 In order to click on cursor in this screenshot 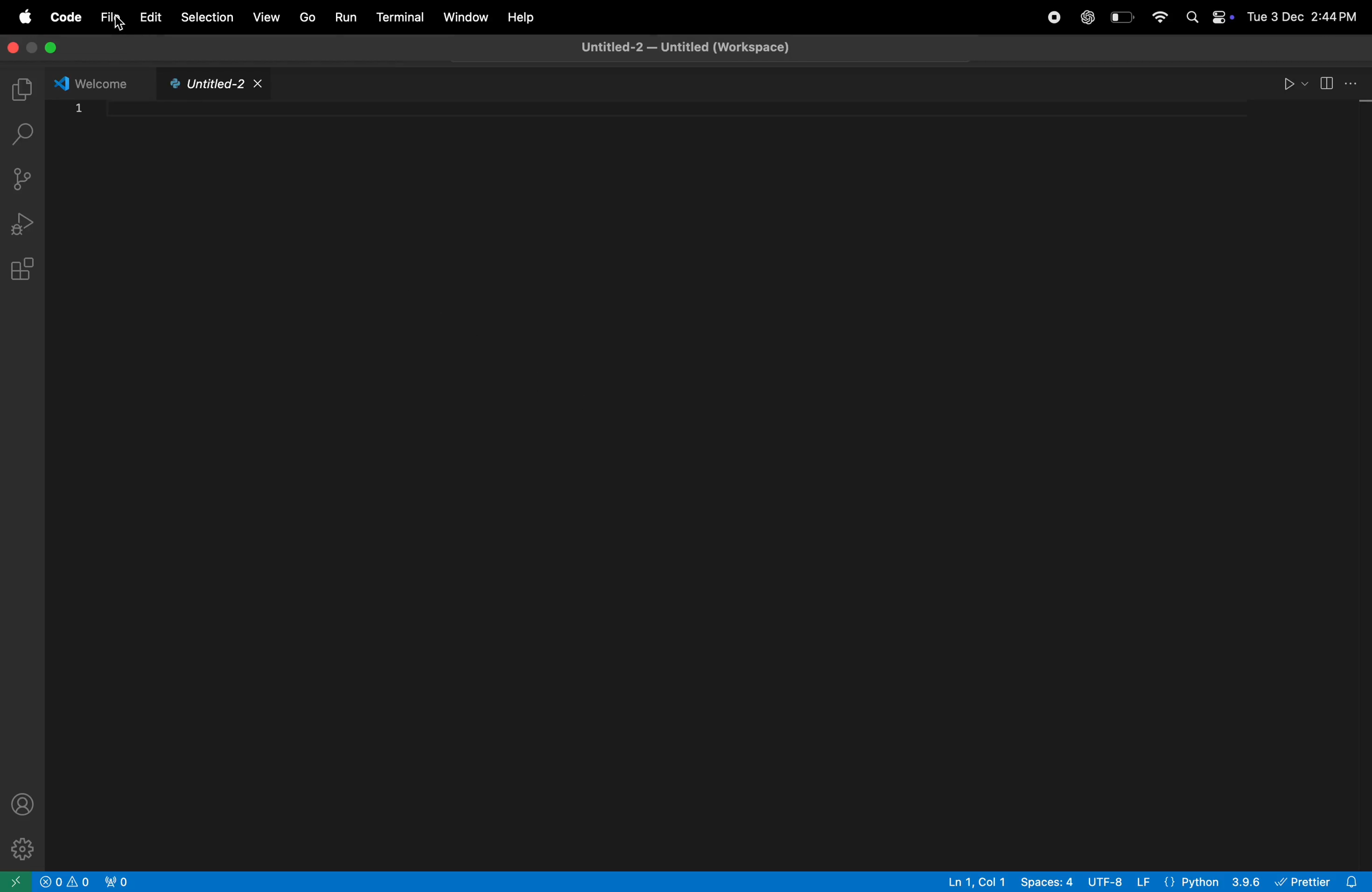, I will do `click(114, 22)`.